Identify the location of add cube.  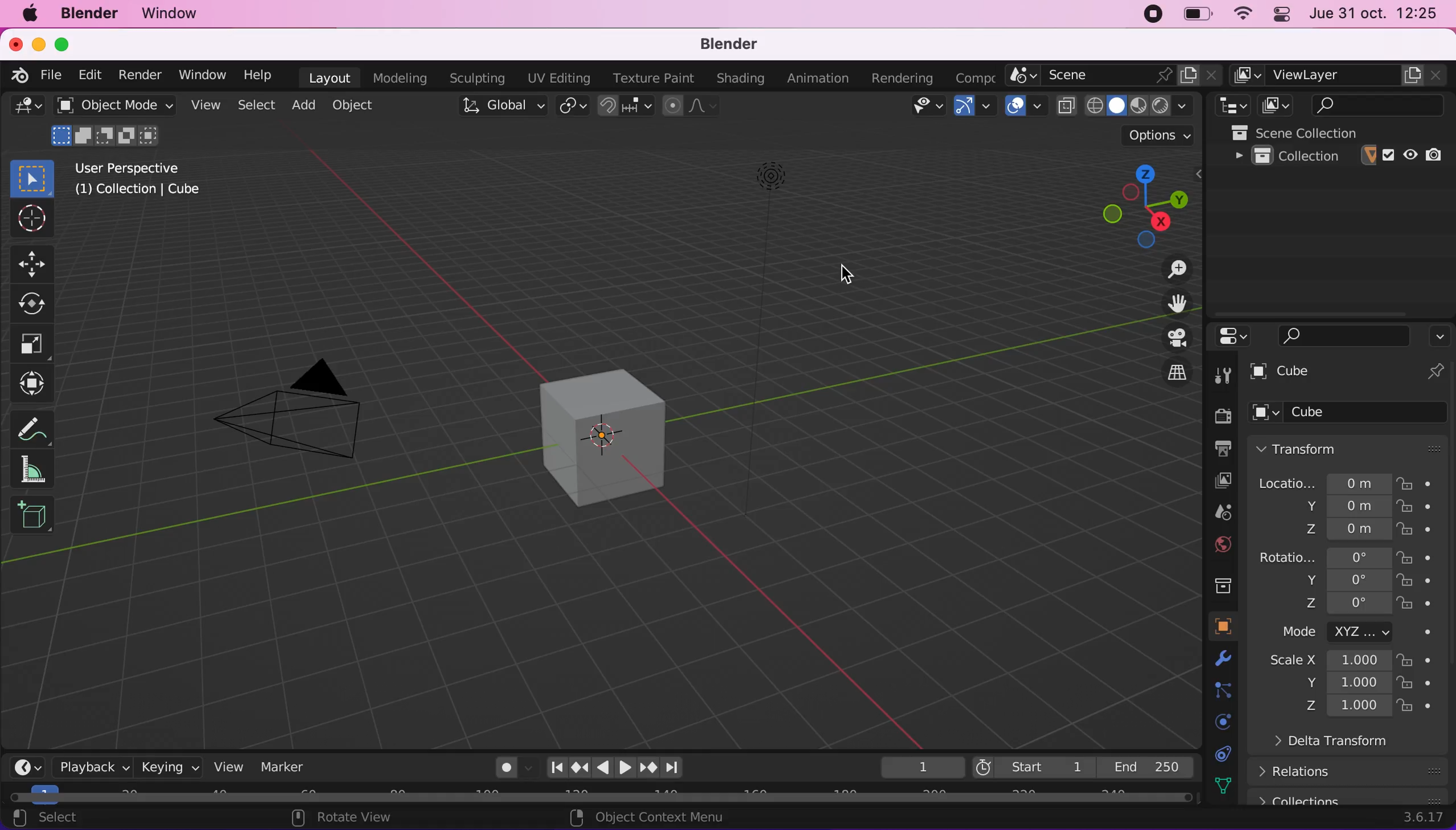
(32, 516).